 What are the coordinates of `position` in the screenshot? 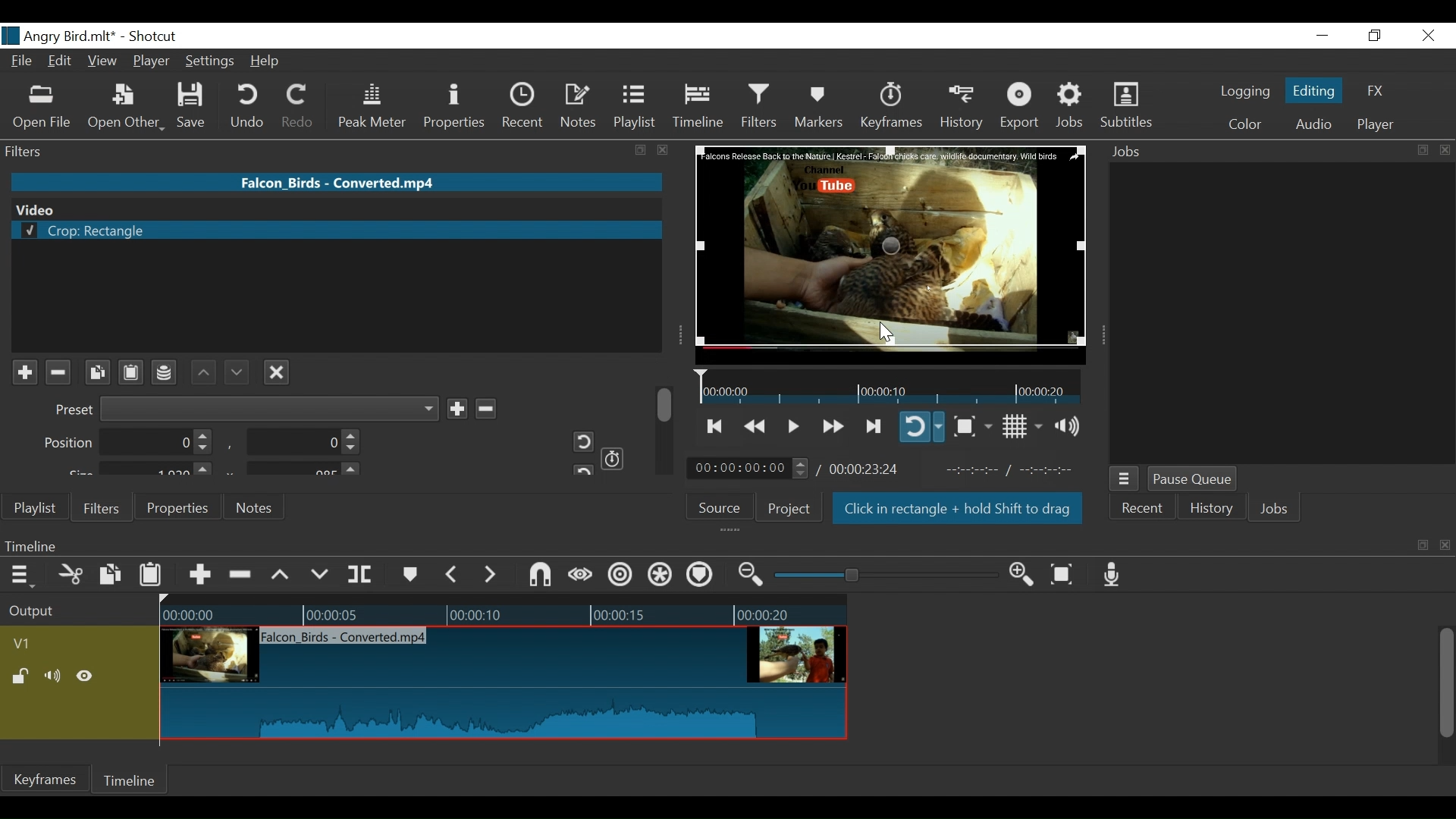 It's located at (129, 443).